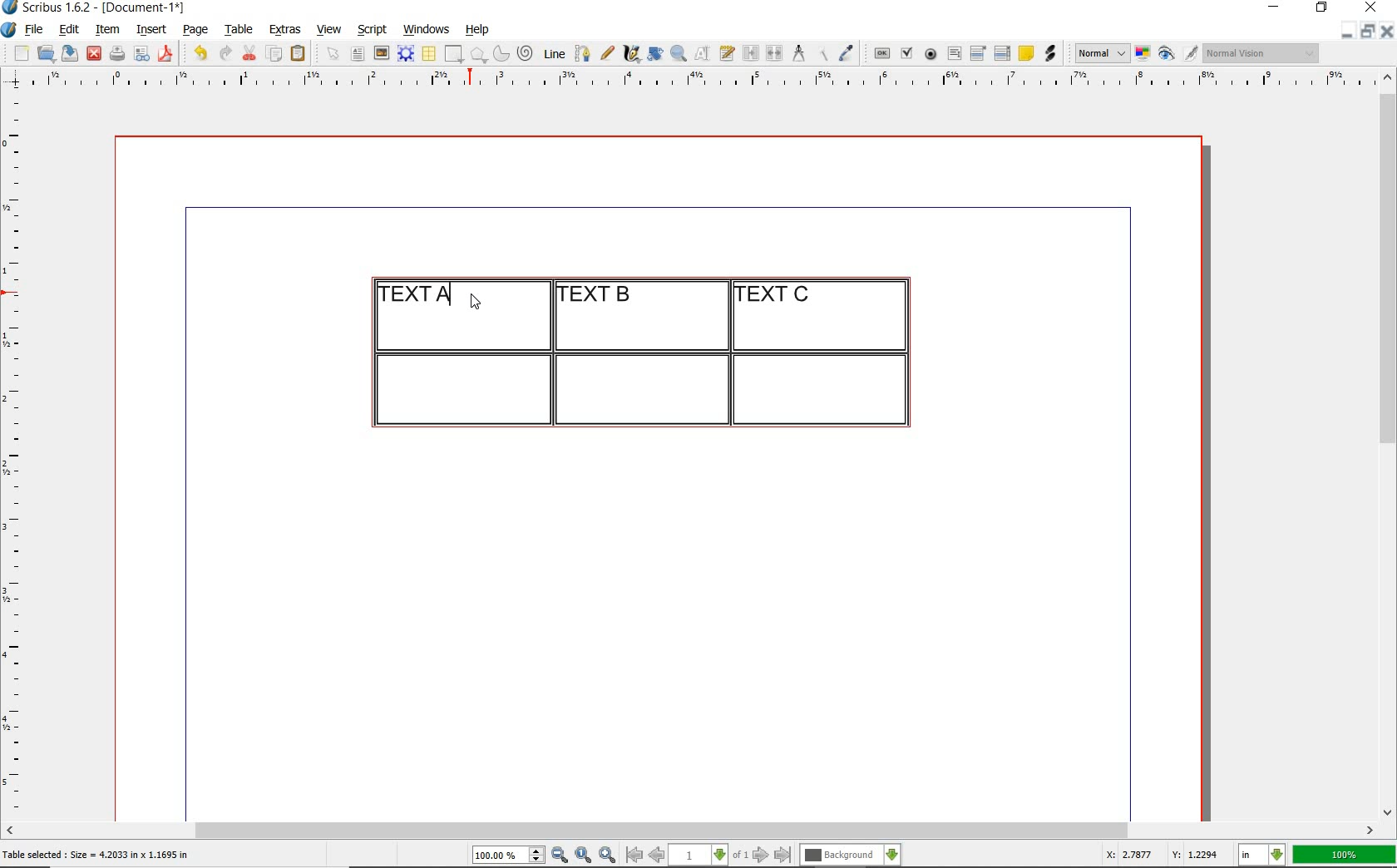 Image resolution: width=1397 pixels, height=868 pixels. I want to click on unlink text frames, so click(774, 54).